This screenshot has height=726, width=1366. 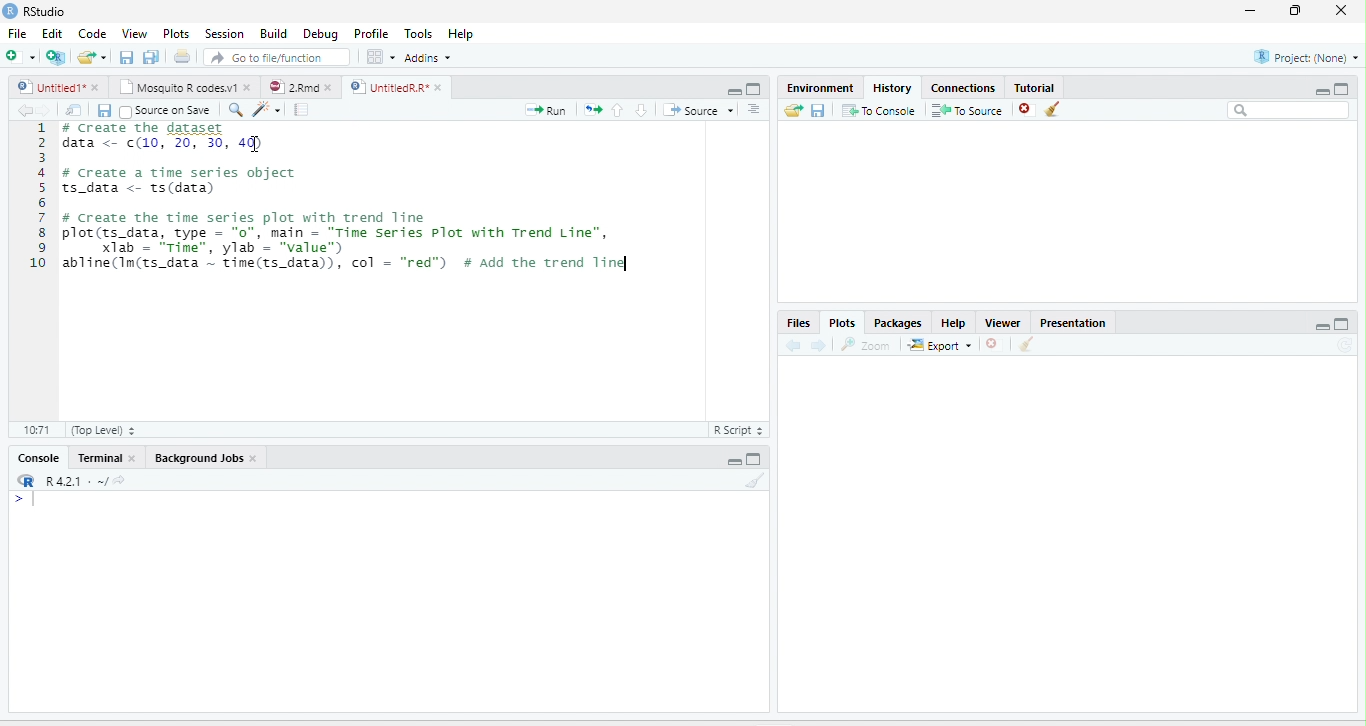 I want to click on Environment, so click(x=822, y=87).